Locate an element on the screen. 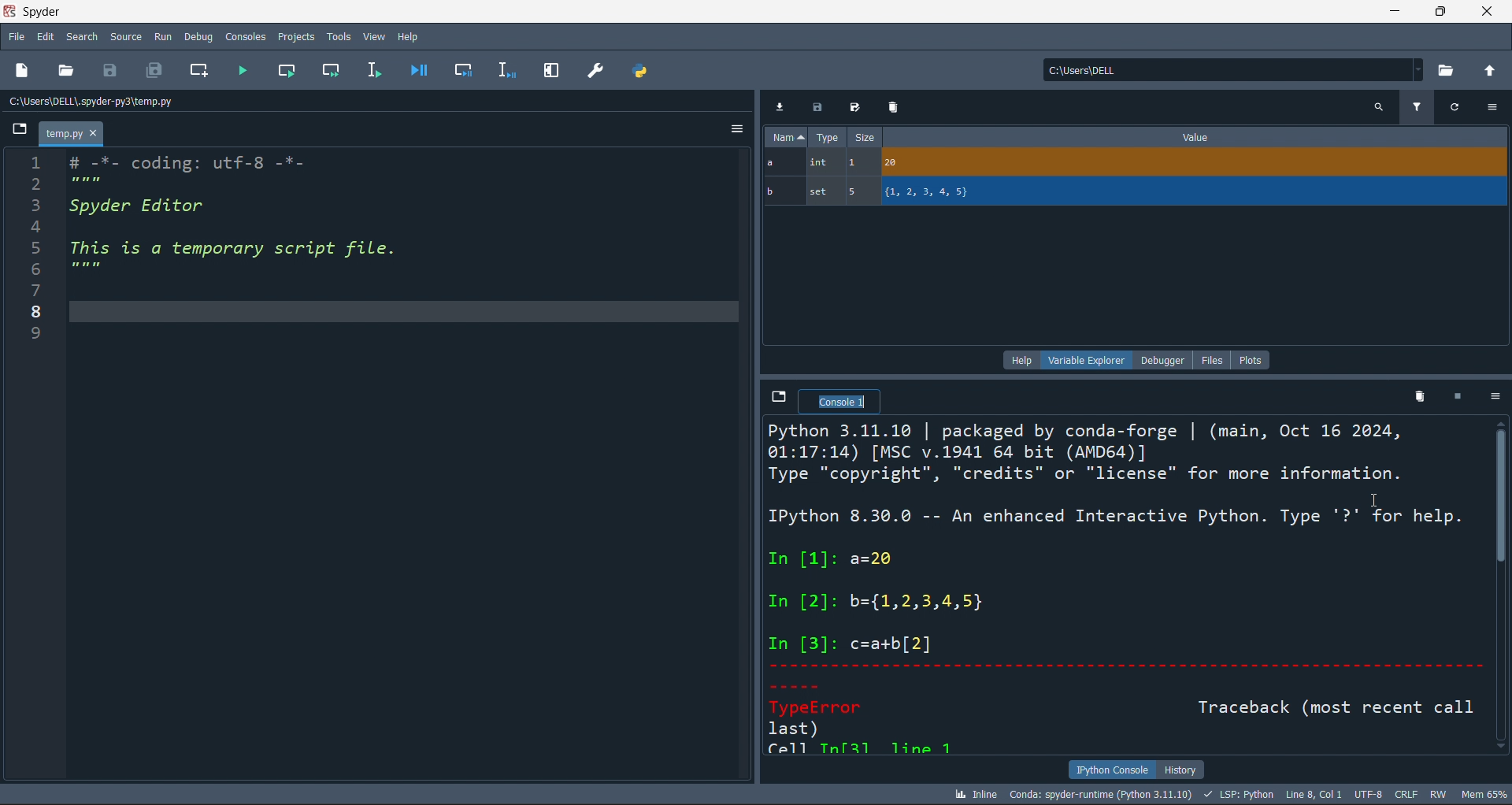  ipython console pane is located at coordinates (1126, 587).